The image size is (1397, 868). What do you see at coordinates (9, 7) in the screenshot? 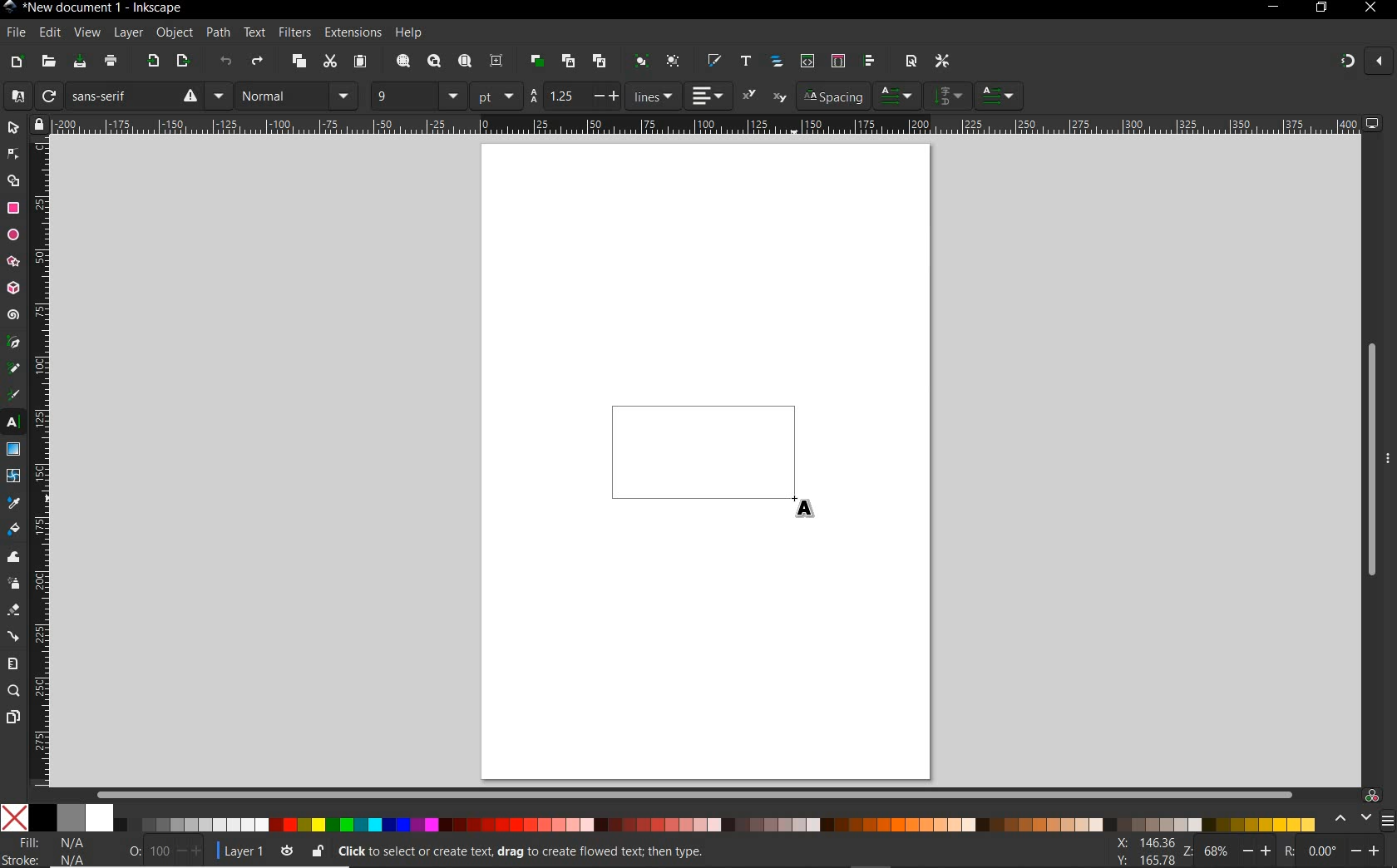
I see `logo` at bounding box center [9, 7].